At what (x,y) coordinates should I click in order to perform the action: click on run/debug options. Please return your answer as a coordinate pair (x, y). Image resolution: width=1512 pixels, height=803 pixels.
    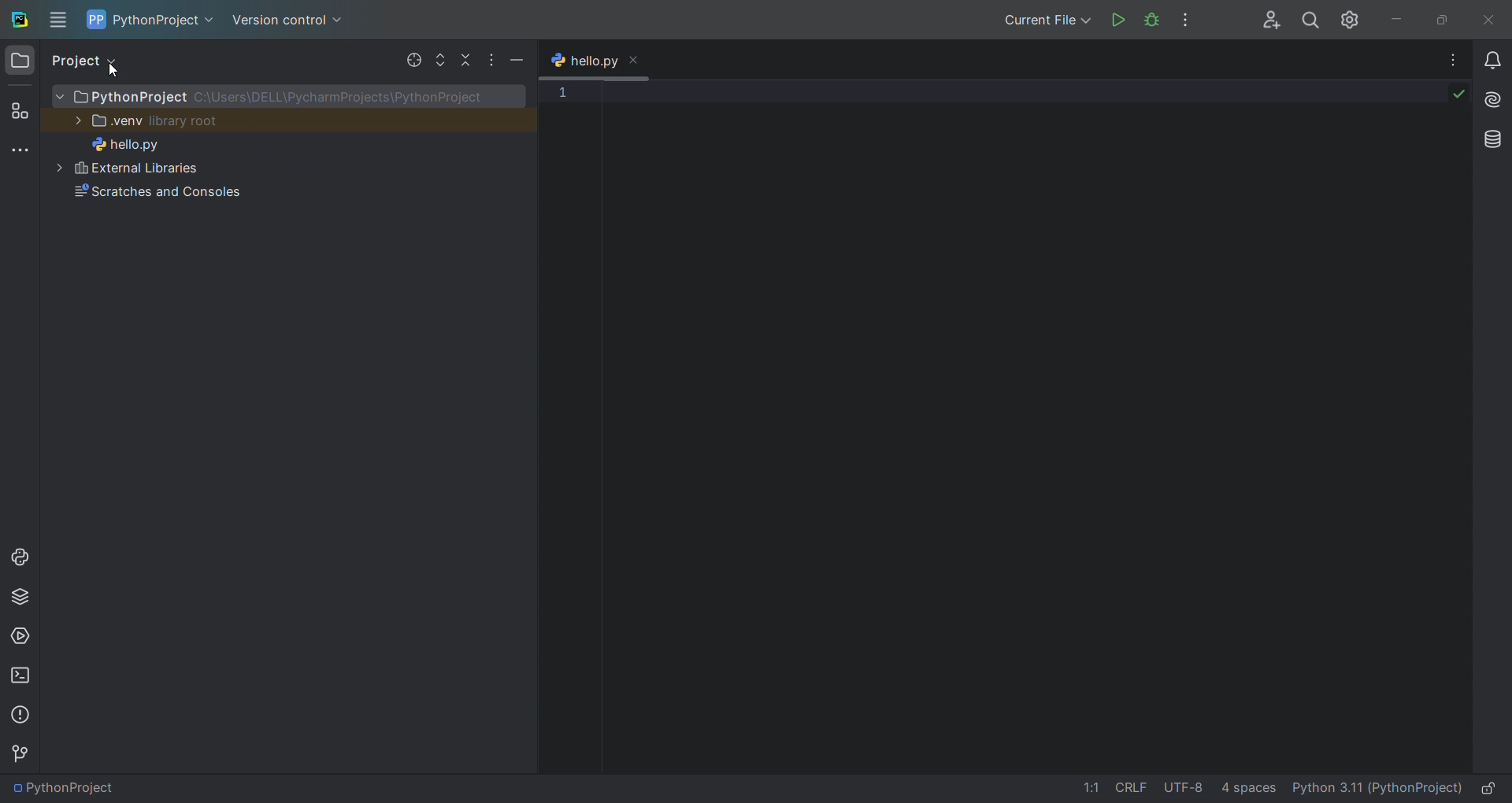
    Looking at the image, I should click on (1040, 21).